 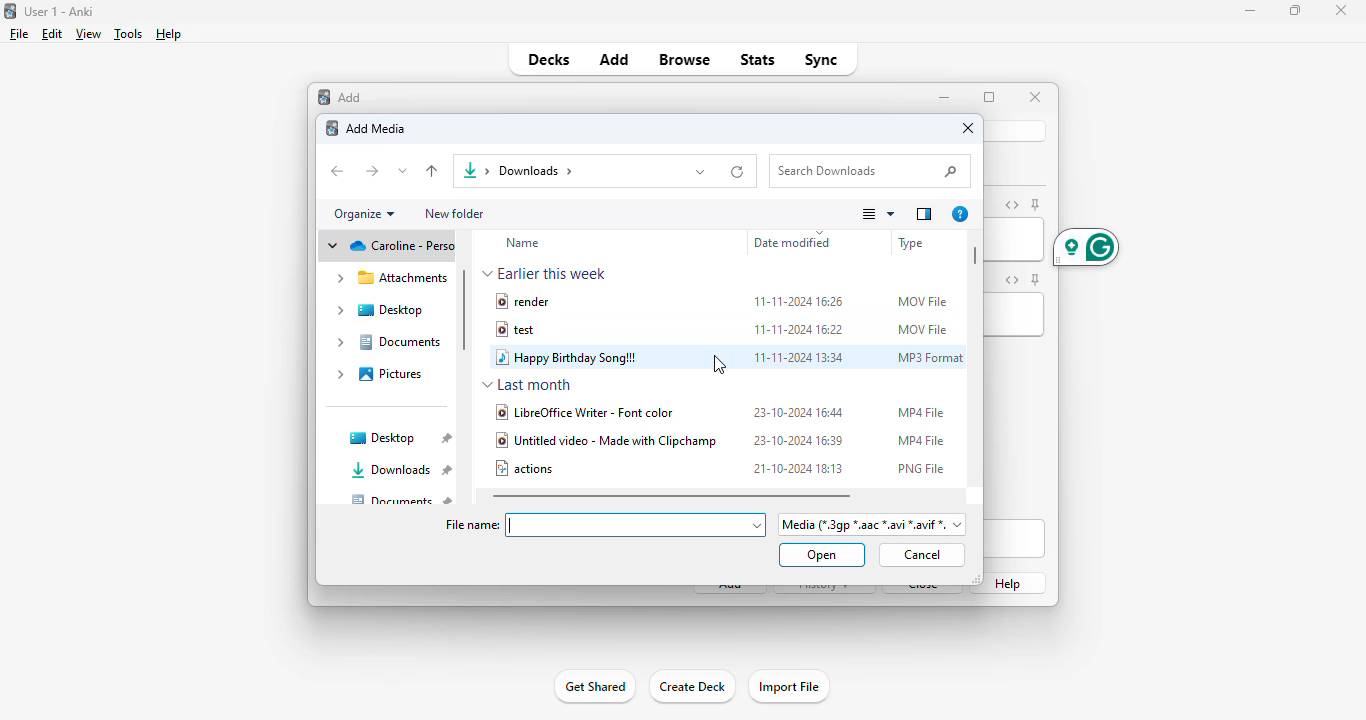 What do you see at coordinates (691, 687) in the screenshot?
I see `create deck` at bounding box center [691, 687].